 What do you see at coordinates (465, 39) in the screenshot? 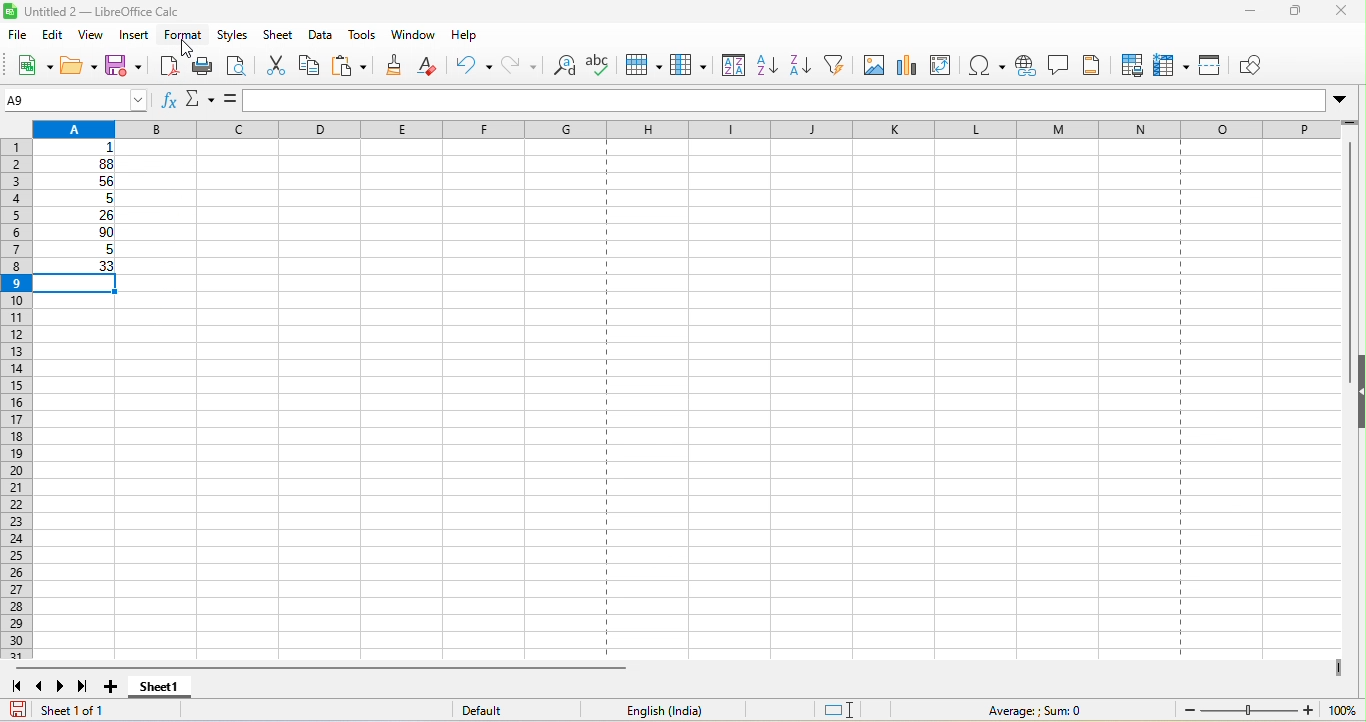
I see `help` at bounding box center [465, 39].